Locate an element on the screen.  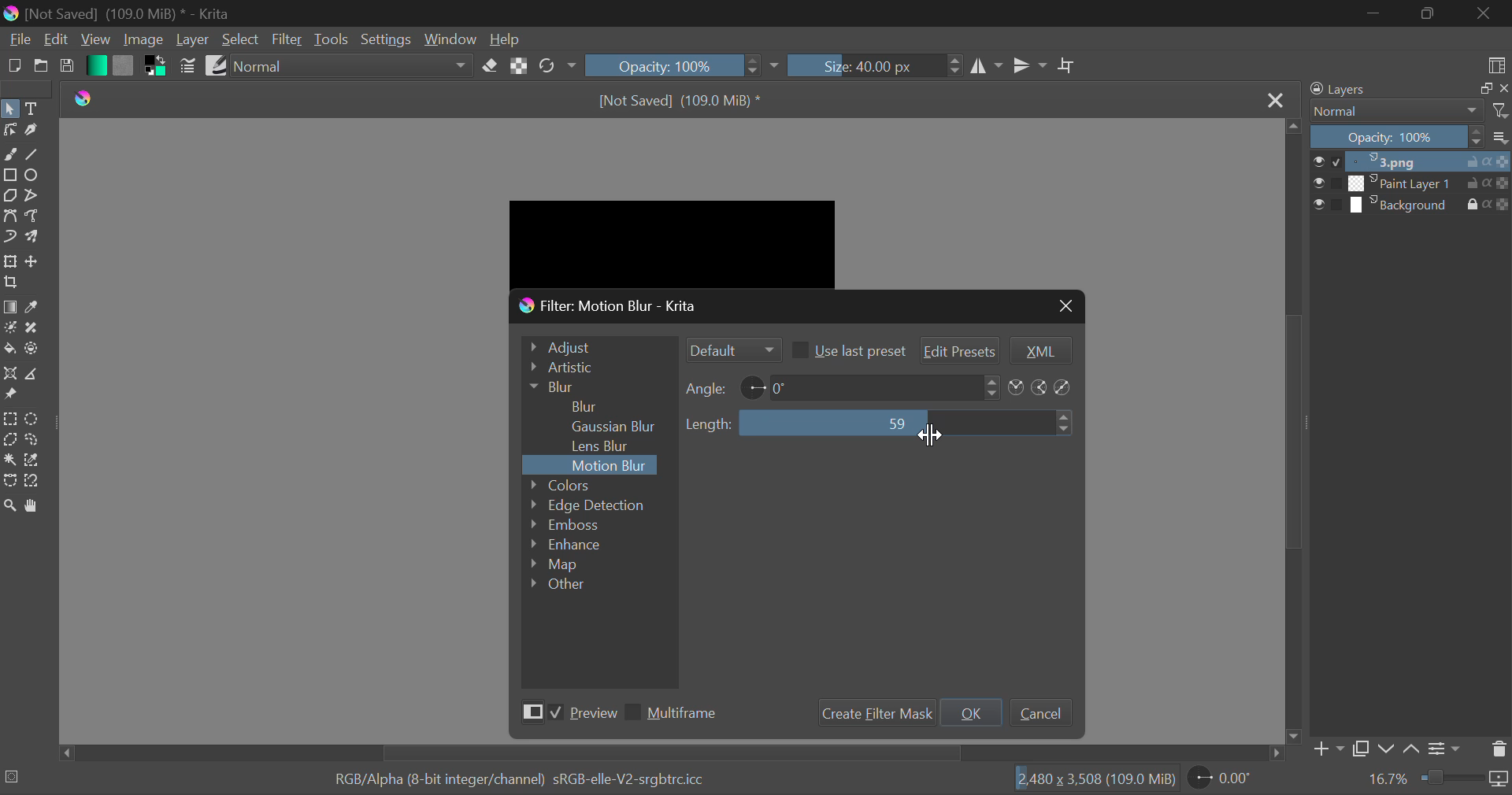
Cancel is located at coordinates (1040, 712).